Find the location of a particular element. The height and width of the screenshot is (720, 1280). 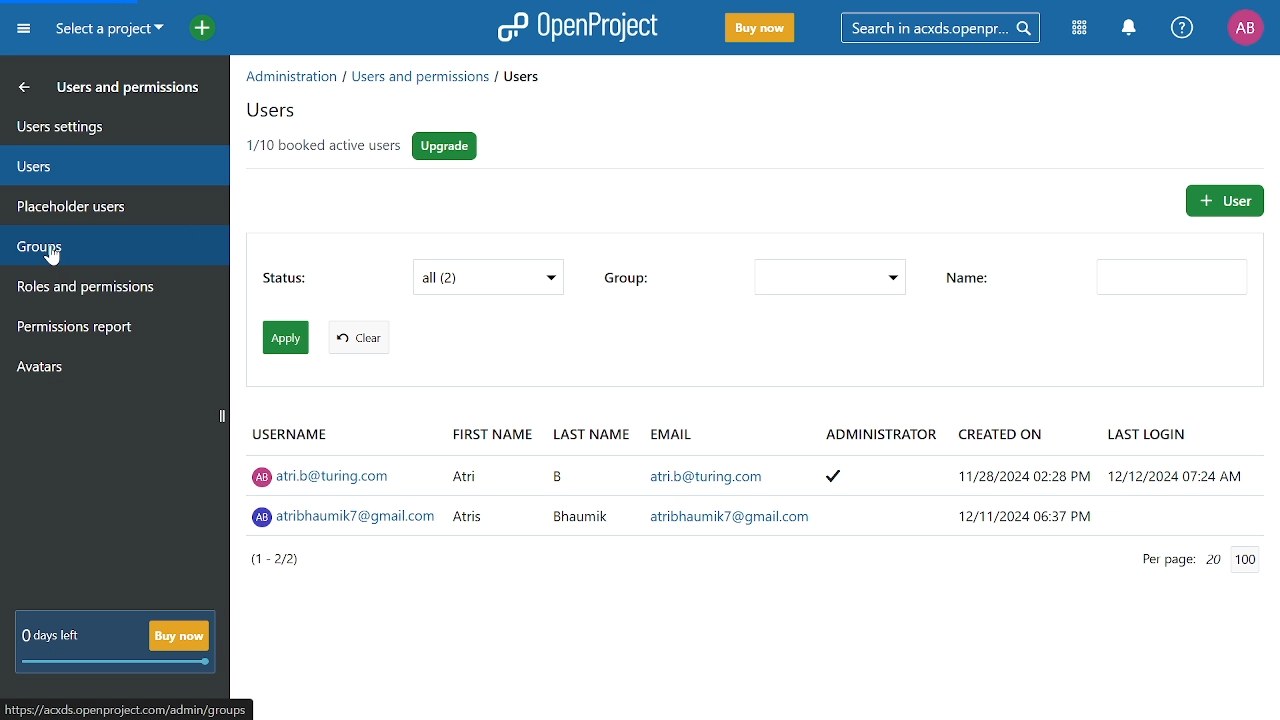

Pages is located at coordinates (276, 560).